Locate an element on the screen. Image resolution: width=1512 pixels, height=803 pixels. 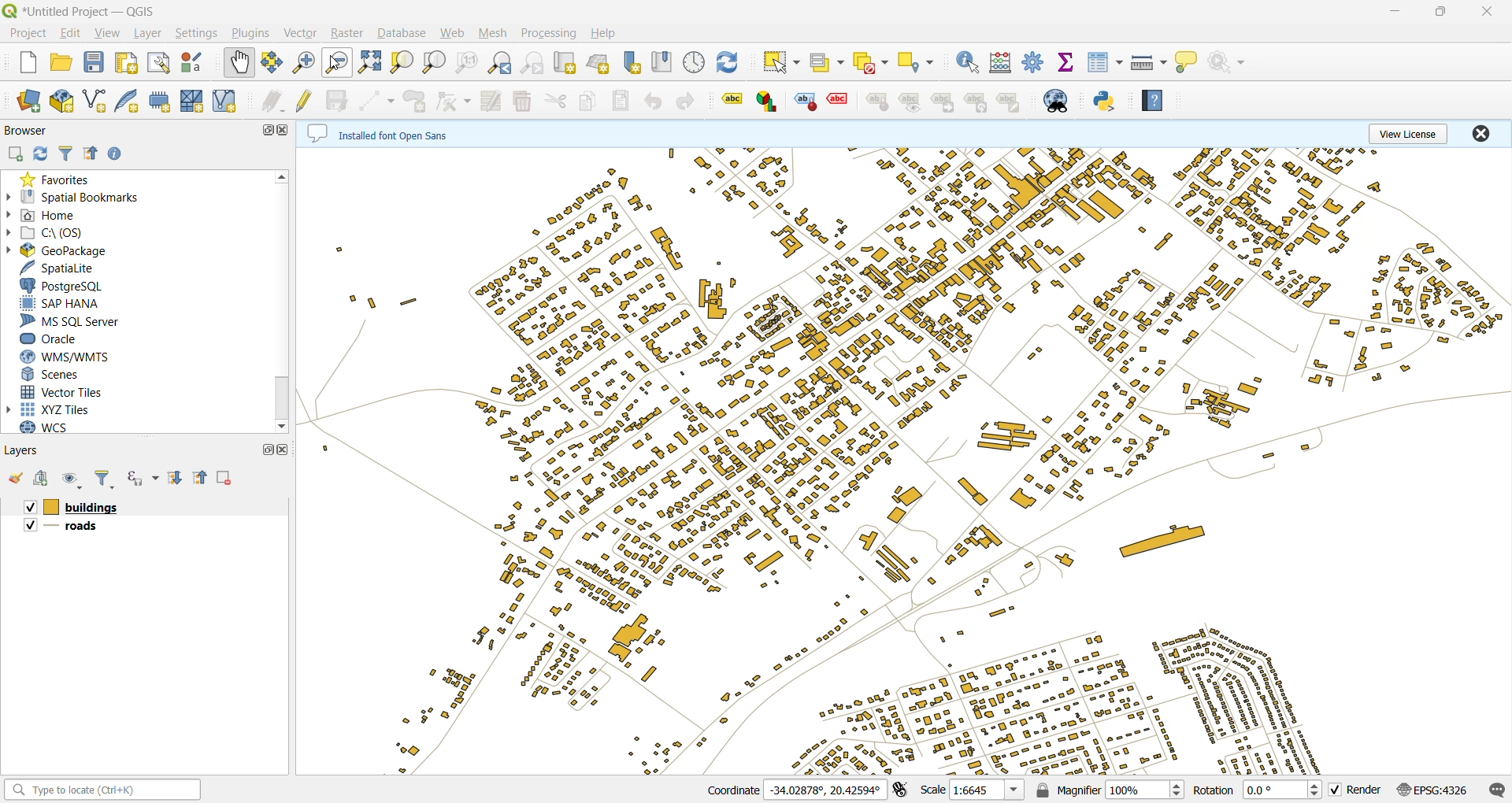
geopackage is located at coordinates (60, 250).